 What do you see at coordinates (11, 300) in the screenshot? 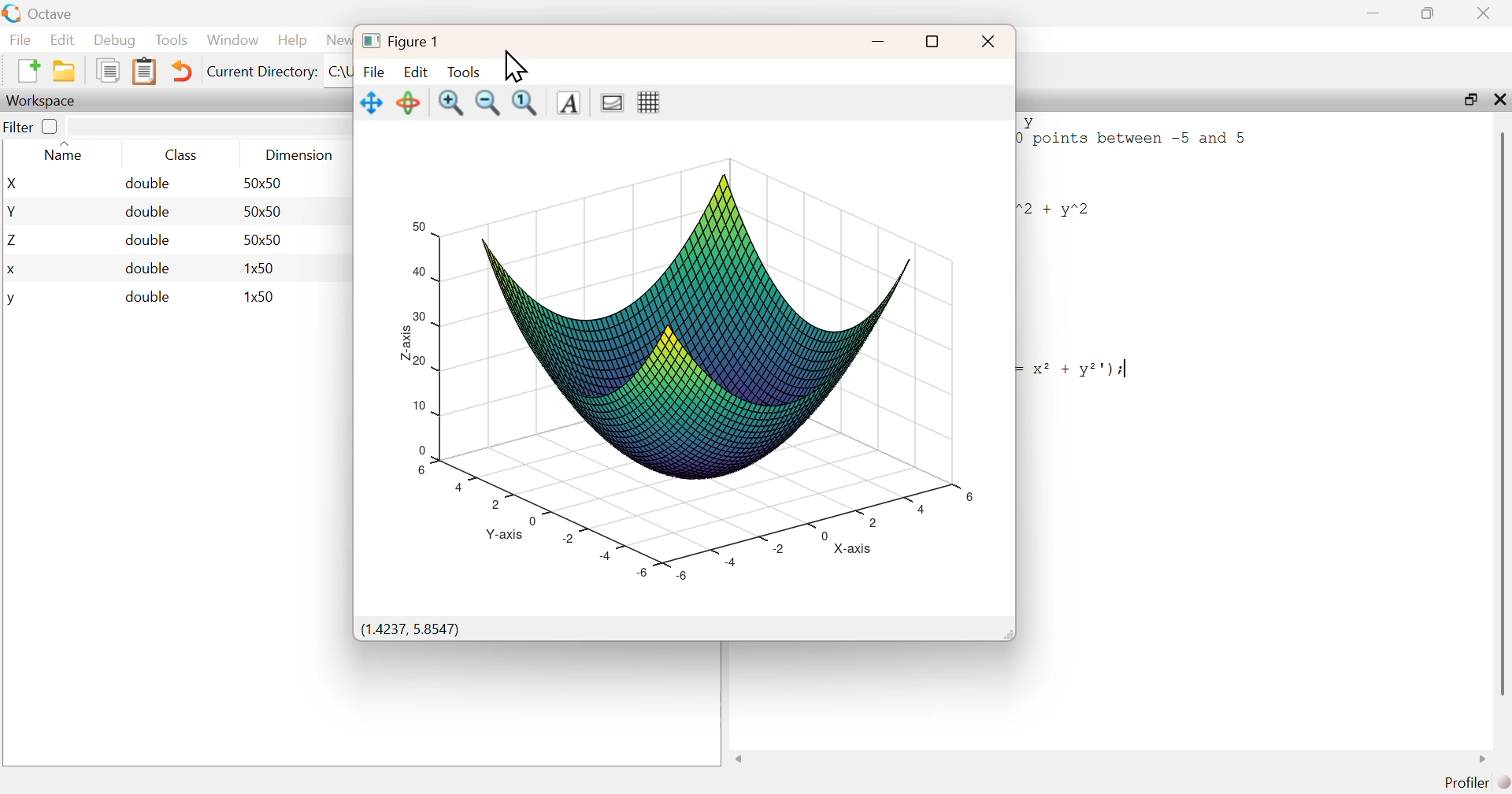
I see `y` at bounding box center [11, 300].